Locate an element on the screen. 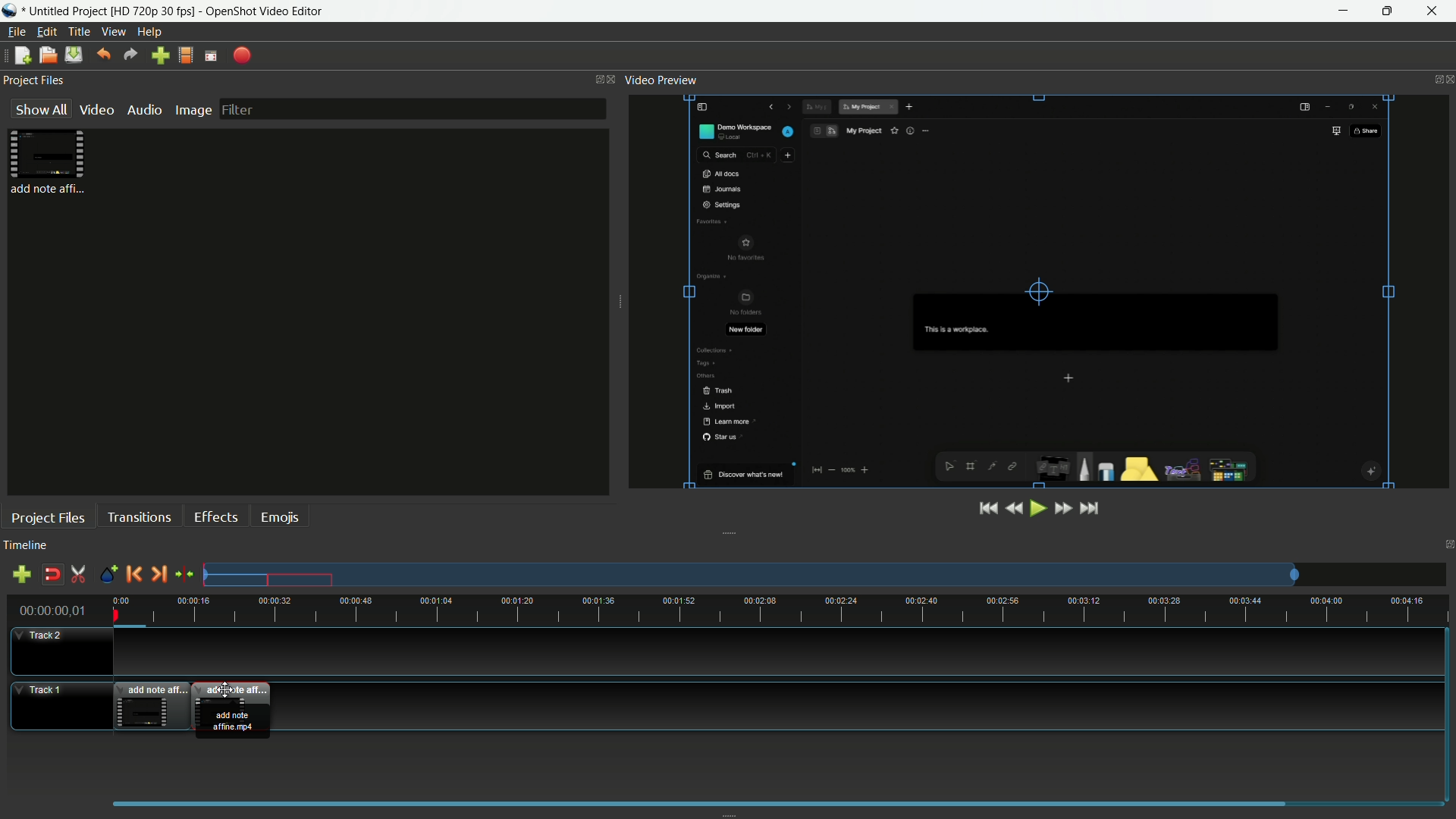  project name is located at coordinates (111, 11).